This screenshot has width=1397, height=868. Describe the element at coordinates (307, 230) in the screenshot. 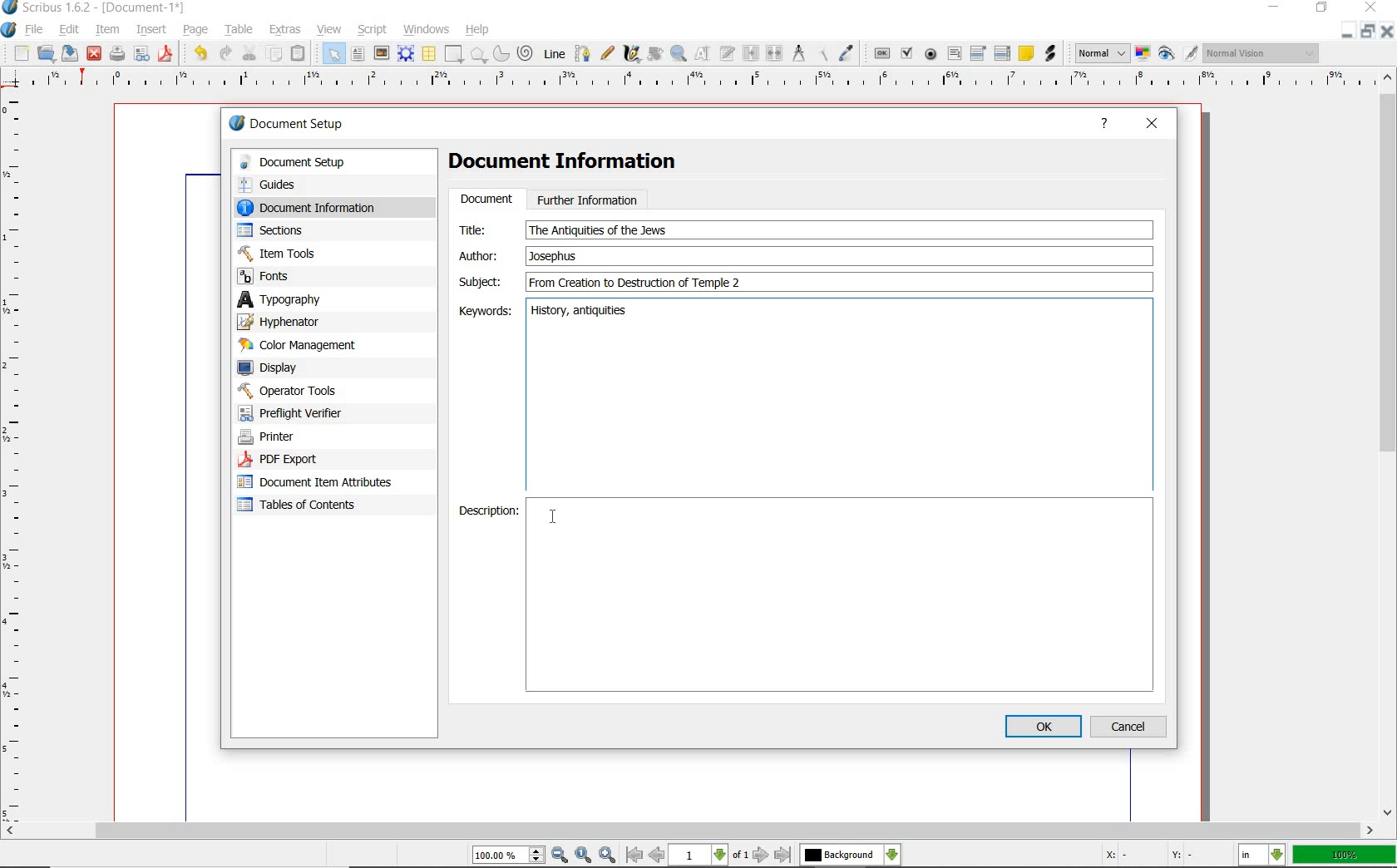

I see `sections` at that location.